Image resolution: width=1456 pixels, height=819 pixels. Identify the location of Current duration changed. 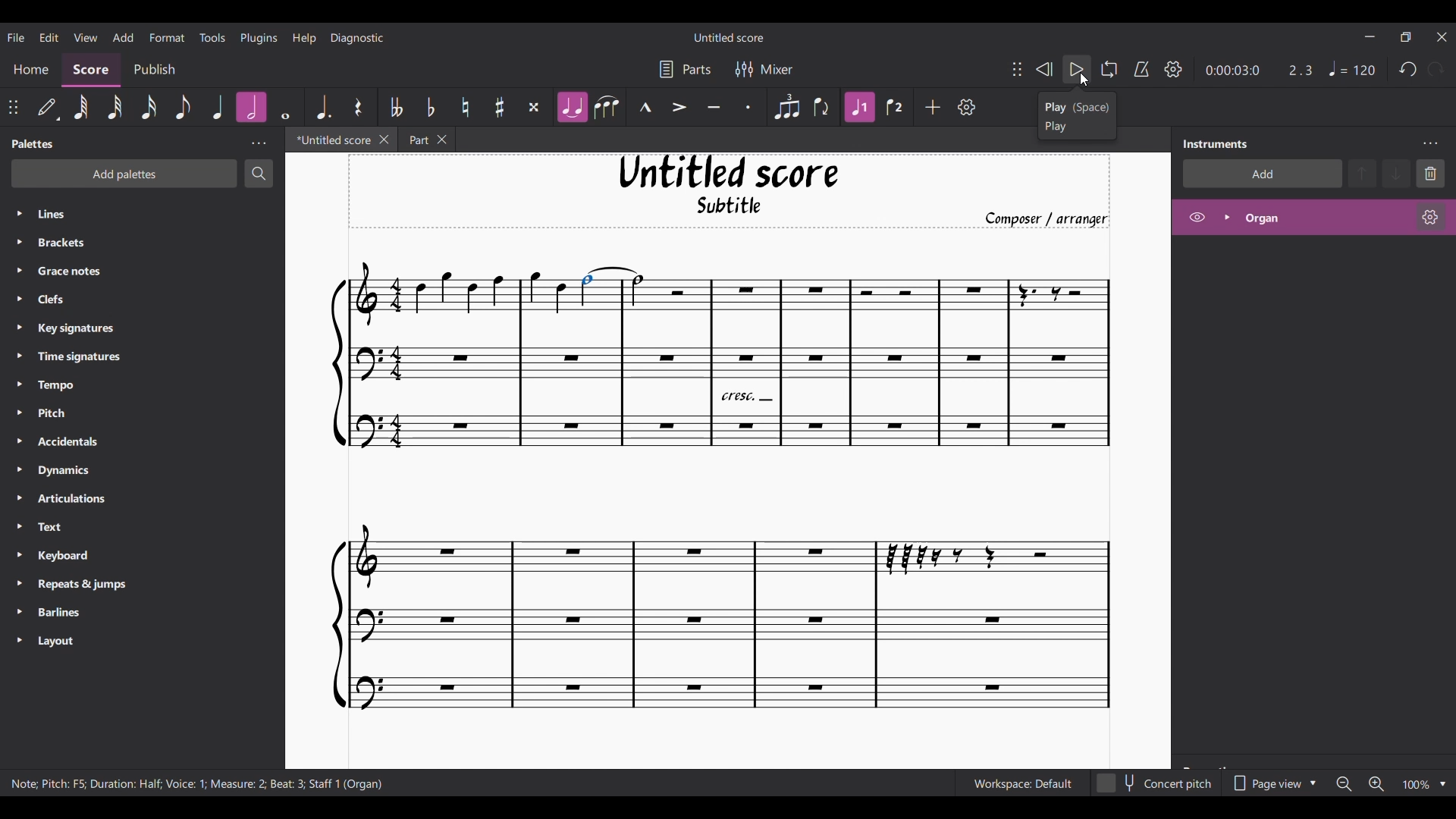
(1232, 71).